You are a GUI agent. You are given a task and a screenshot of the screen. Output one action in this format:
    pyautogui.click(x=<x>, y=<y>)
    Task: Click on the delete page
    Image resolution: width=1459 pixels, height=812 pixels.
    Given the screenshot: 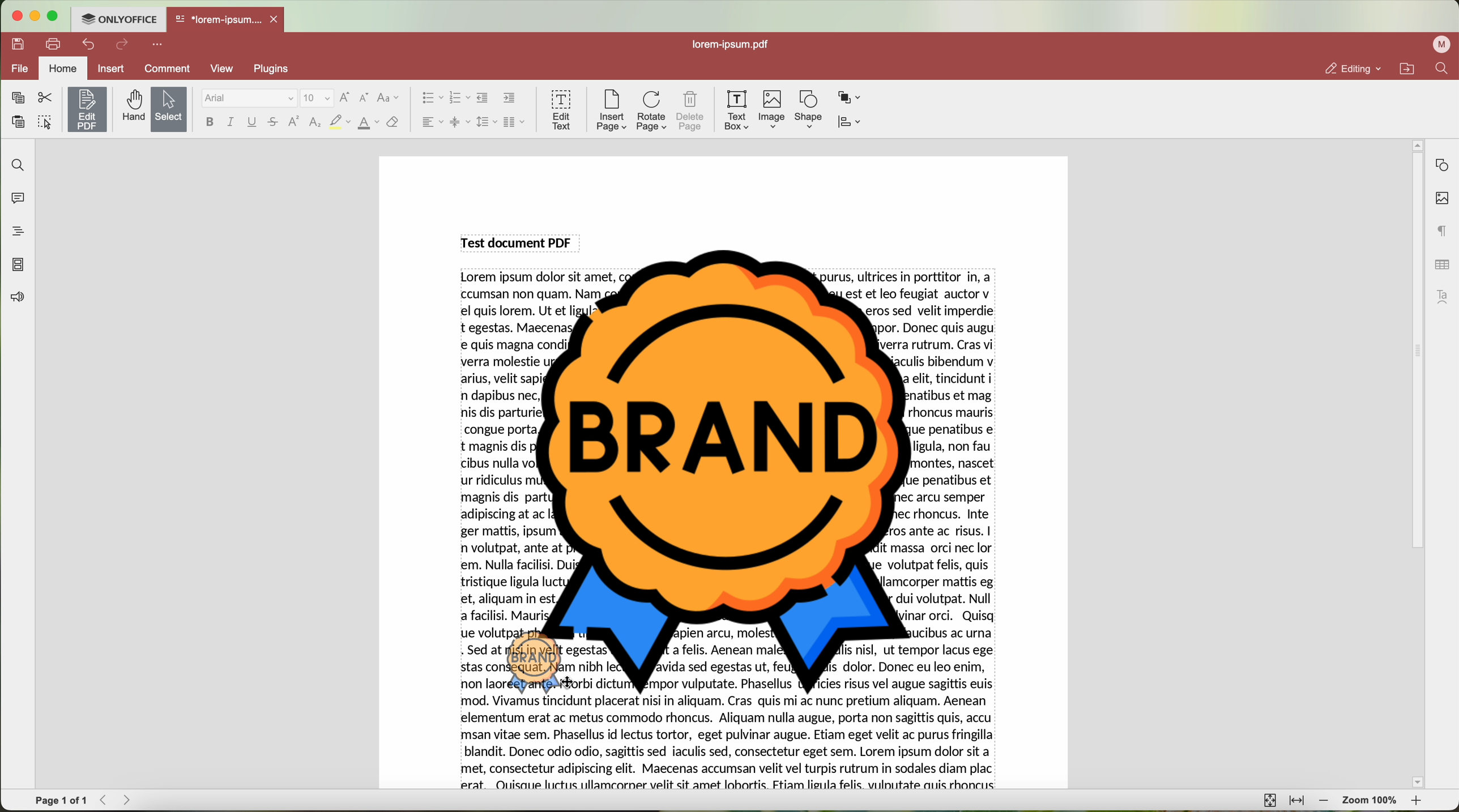 What is the action you would take?
    pyautogui.click(x=691, y=113)
    